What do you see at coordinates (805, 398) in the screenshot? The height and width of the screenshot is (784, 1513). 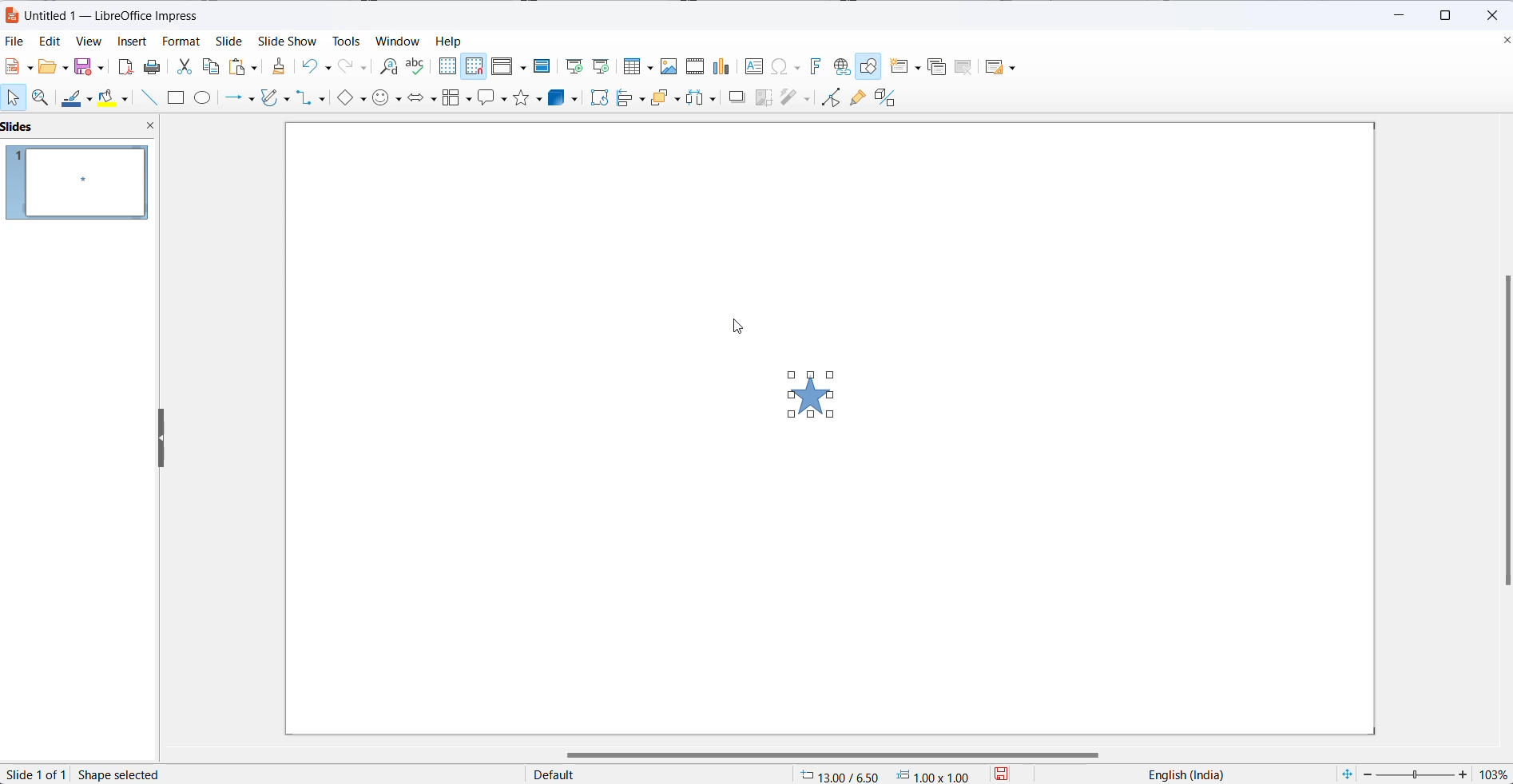 I see `star` at bounding box center [805, 398].